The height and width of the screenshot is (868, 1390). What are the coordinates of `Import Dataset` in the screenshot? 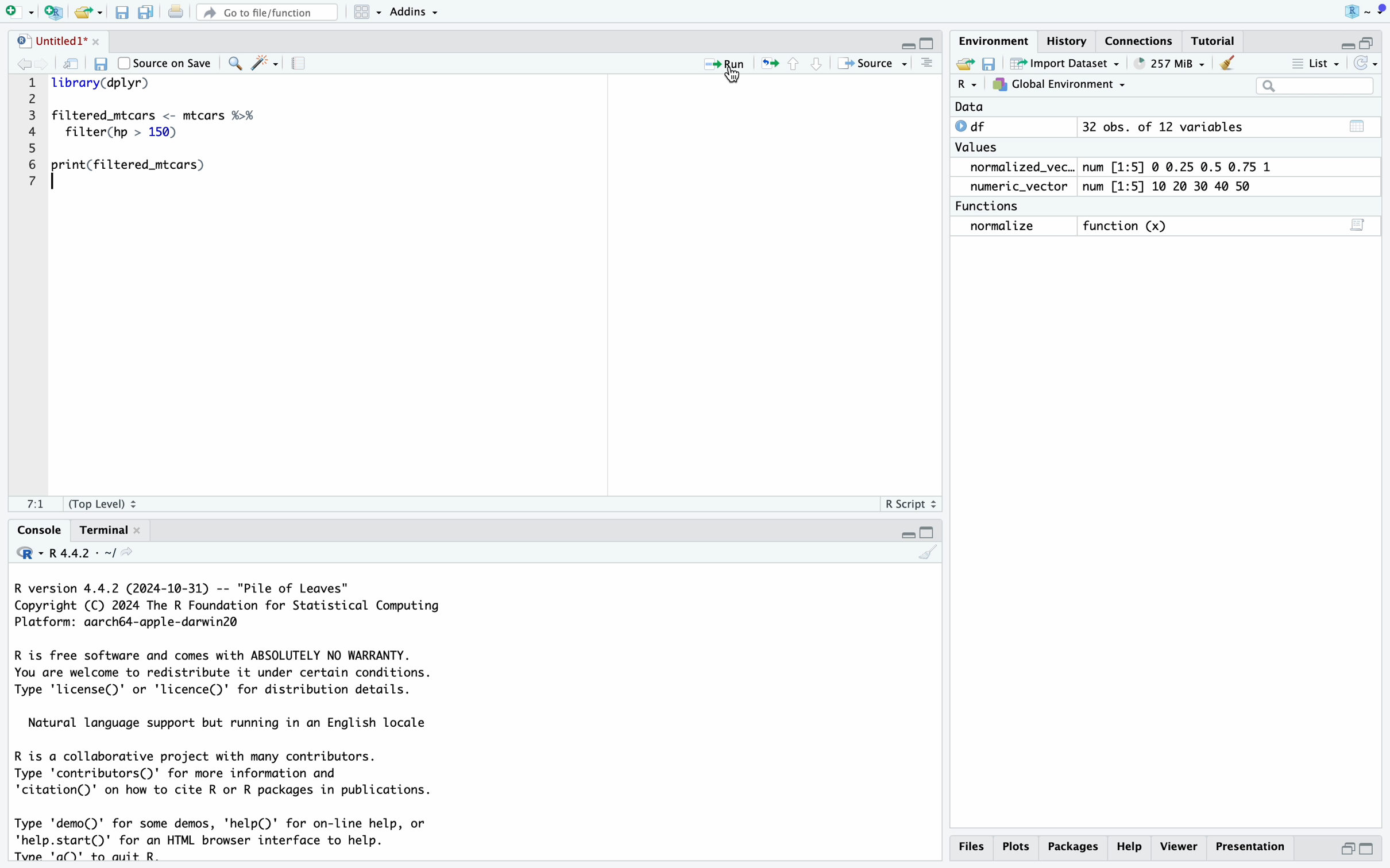 It's located at (1067, 63).